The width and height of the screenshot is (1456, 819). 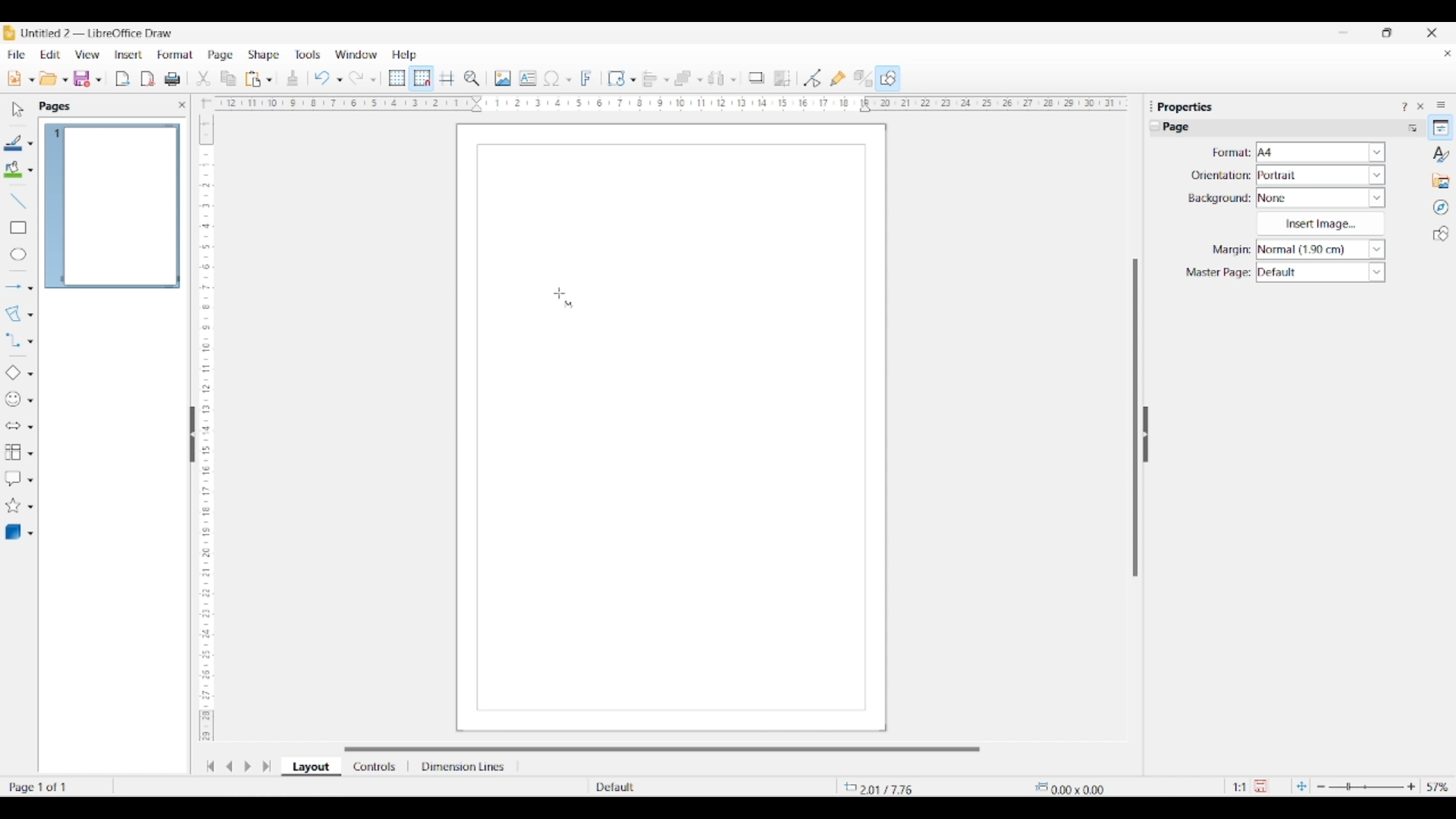 I want to click on Selected alignment, so click(x=650, y=77).